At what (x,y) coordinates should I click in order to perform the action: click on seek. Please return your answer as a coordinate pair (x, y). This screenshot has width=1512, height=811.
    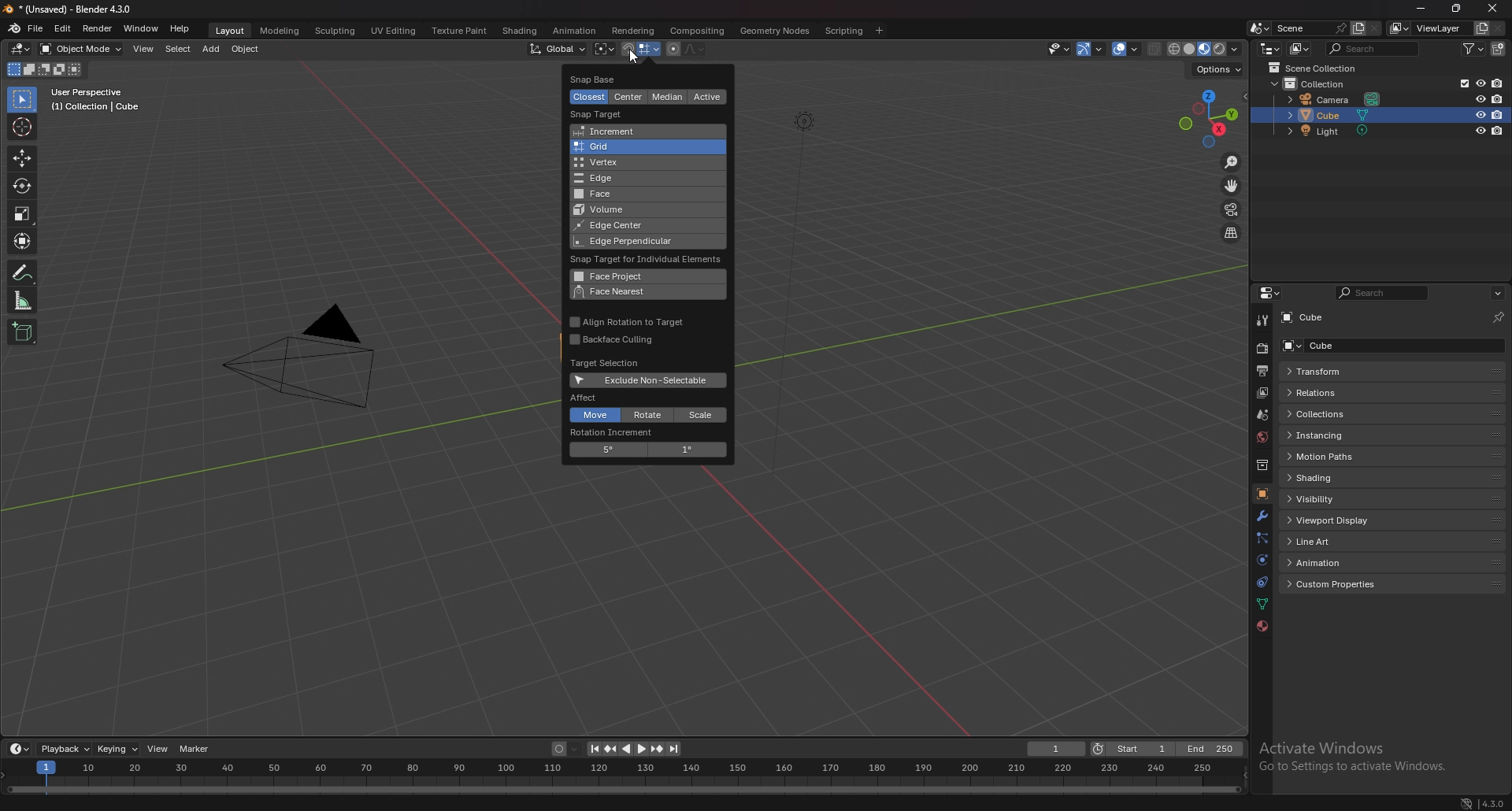
    Looking at the image, I should click on (622, 776).